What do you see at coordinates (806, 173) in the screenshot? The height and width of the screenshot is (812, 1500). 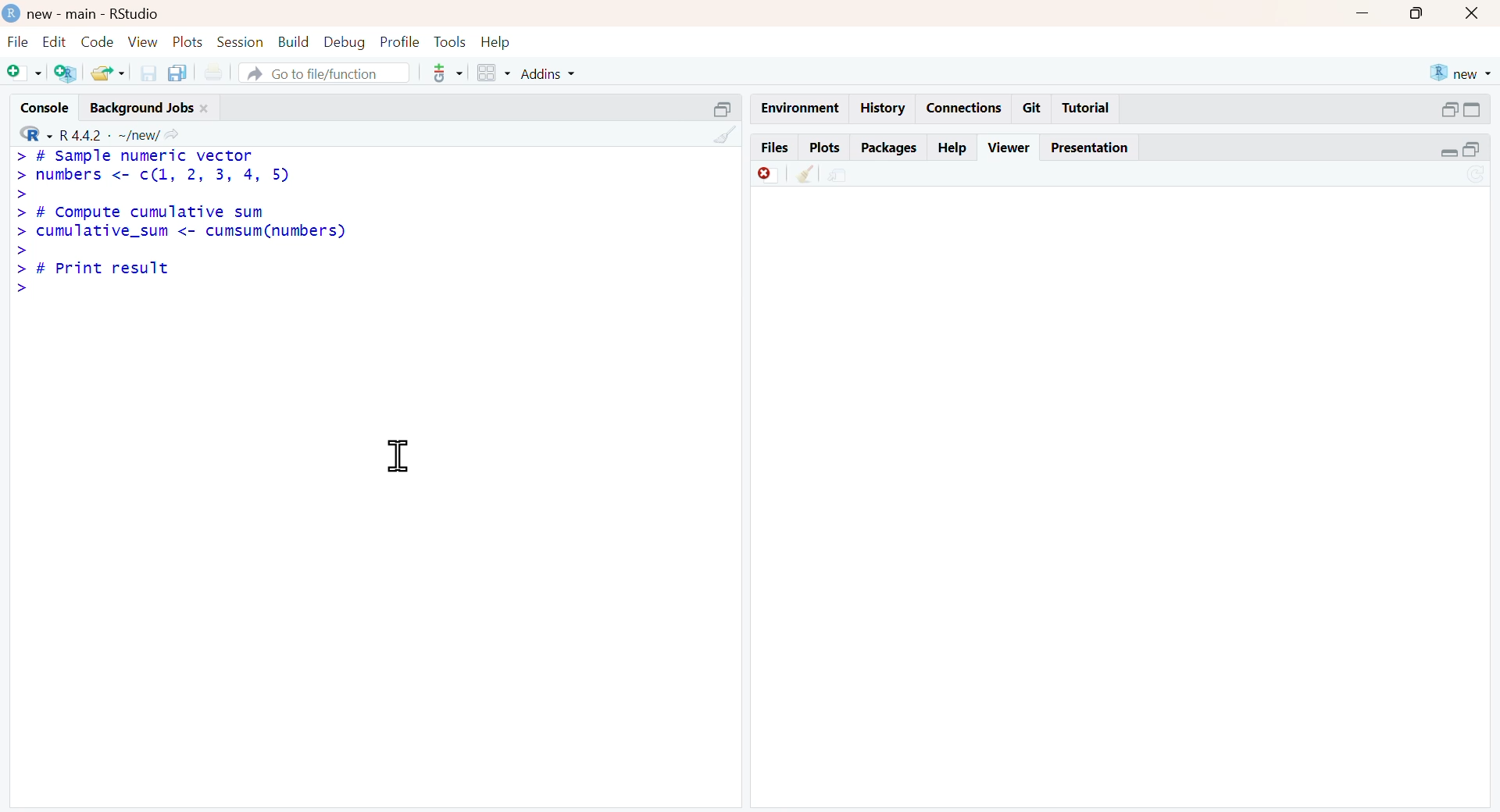 I see `clear console` at bounding box center [806, 173].